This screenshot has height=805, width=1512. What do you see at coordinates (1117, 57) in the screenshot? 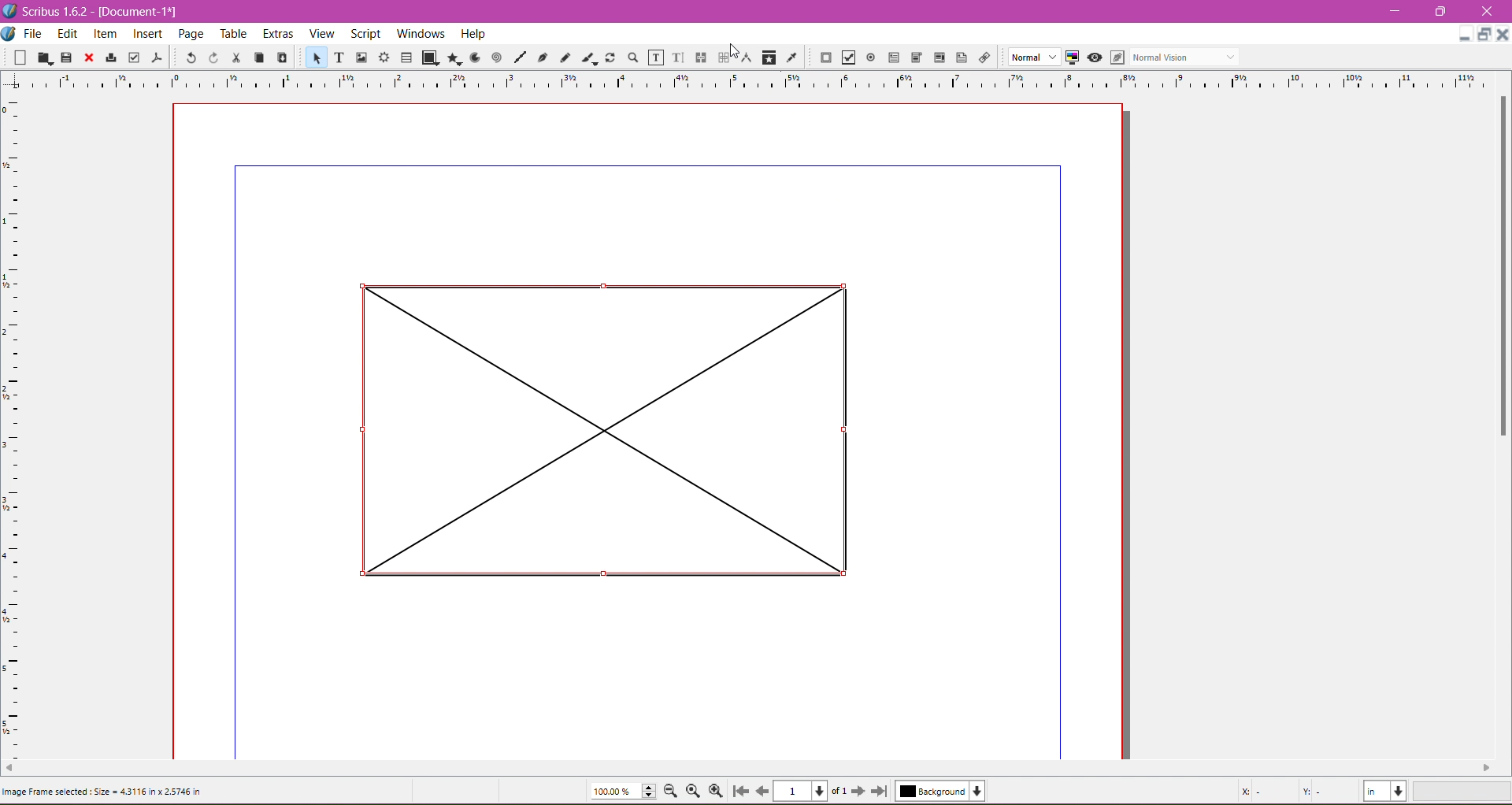
I see `Edit in Preview Mode` at bounding box center [1117, 57].